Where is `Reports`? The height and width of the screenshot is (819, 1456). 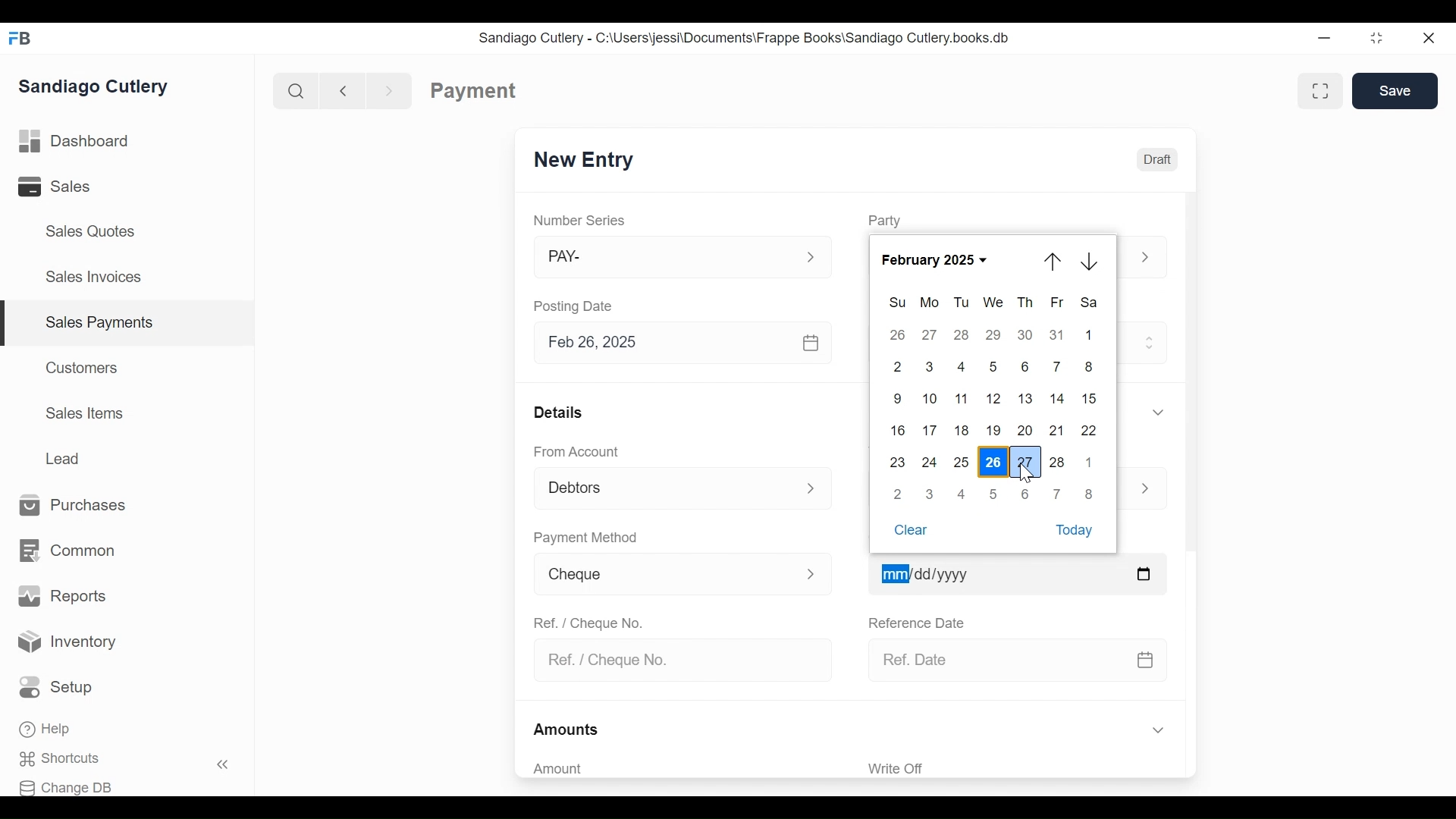
Reports is located at coordinates (62, 596).